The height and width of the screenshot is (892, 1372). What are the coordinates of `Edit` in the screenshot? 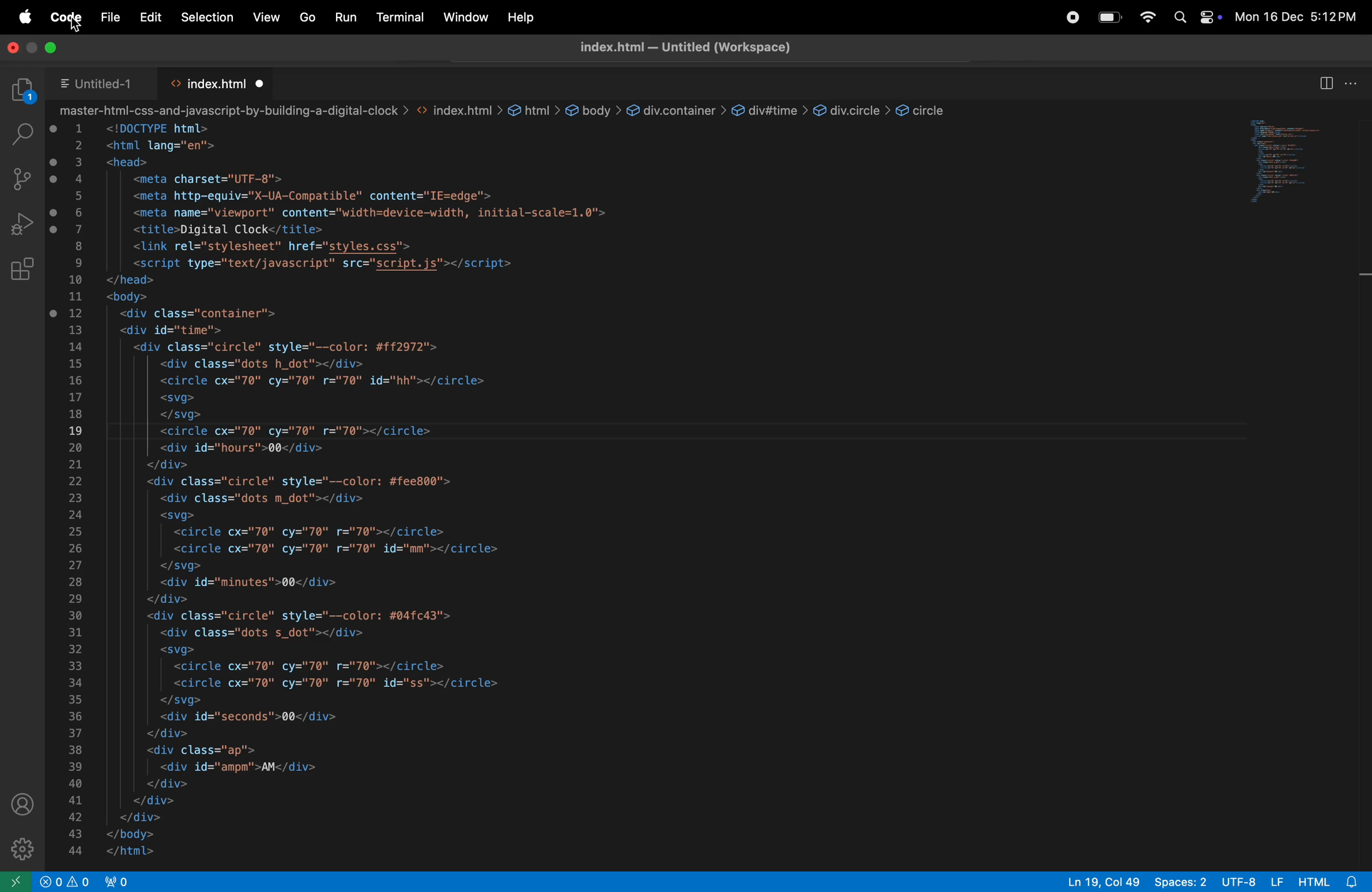 It's located at (152, 18).